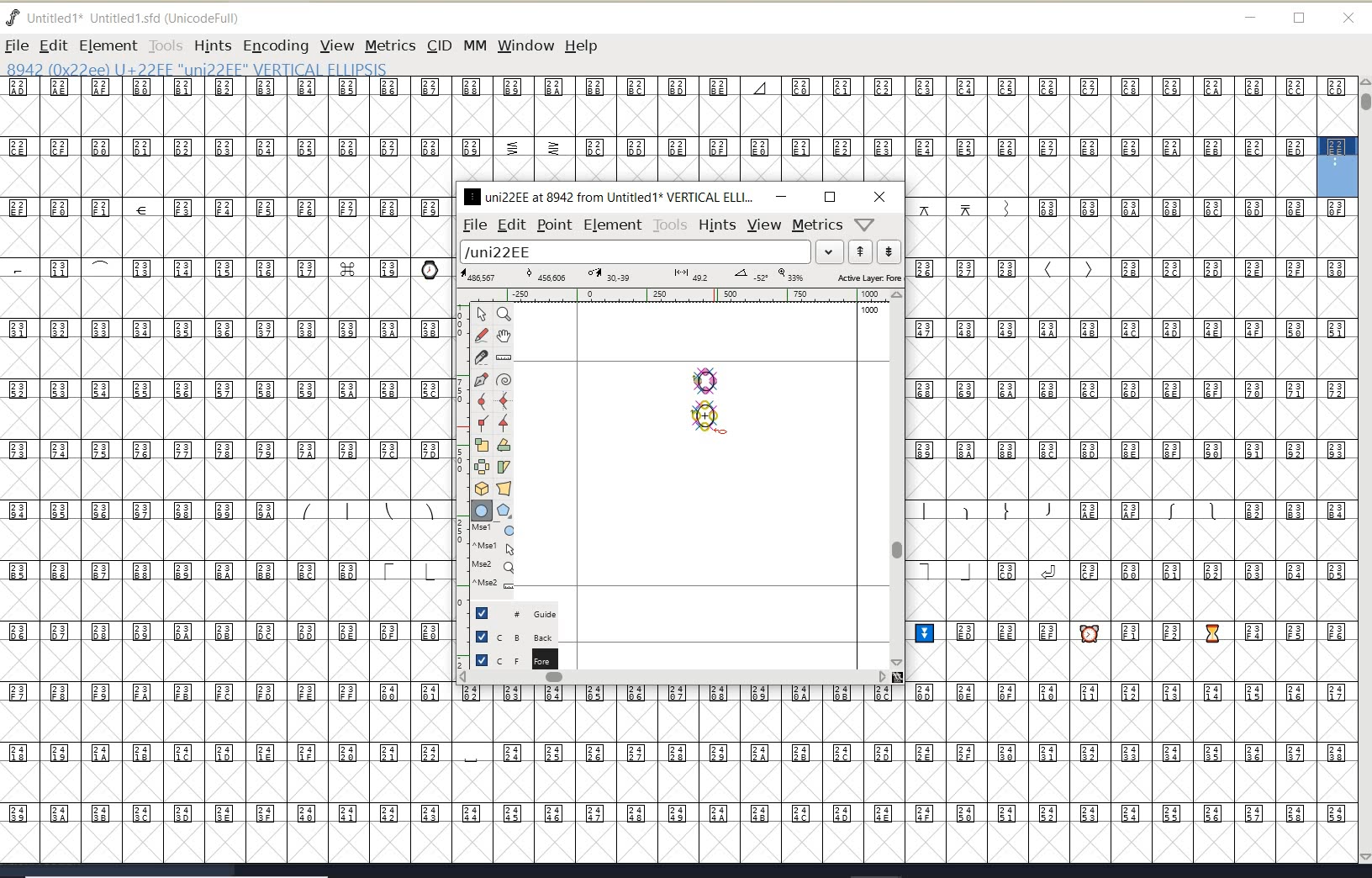 This screenshot has height=878, width=1372. Describe the element at coordinates (504, 512) in the screenshot. I see `polygon or star` at that location.